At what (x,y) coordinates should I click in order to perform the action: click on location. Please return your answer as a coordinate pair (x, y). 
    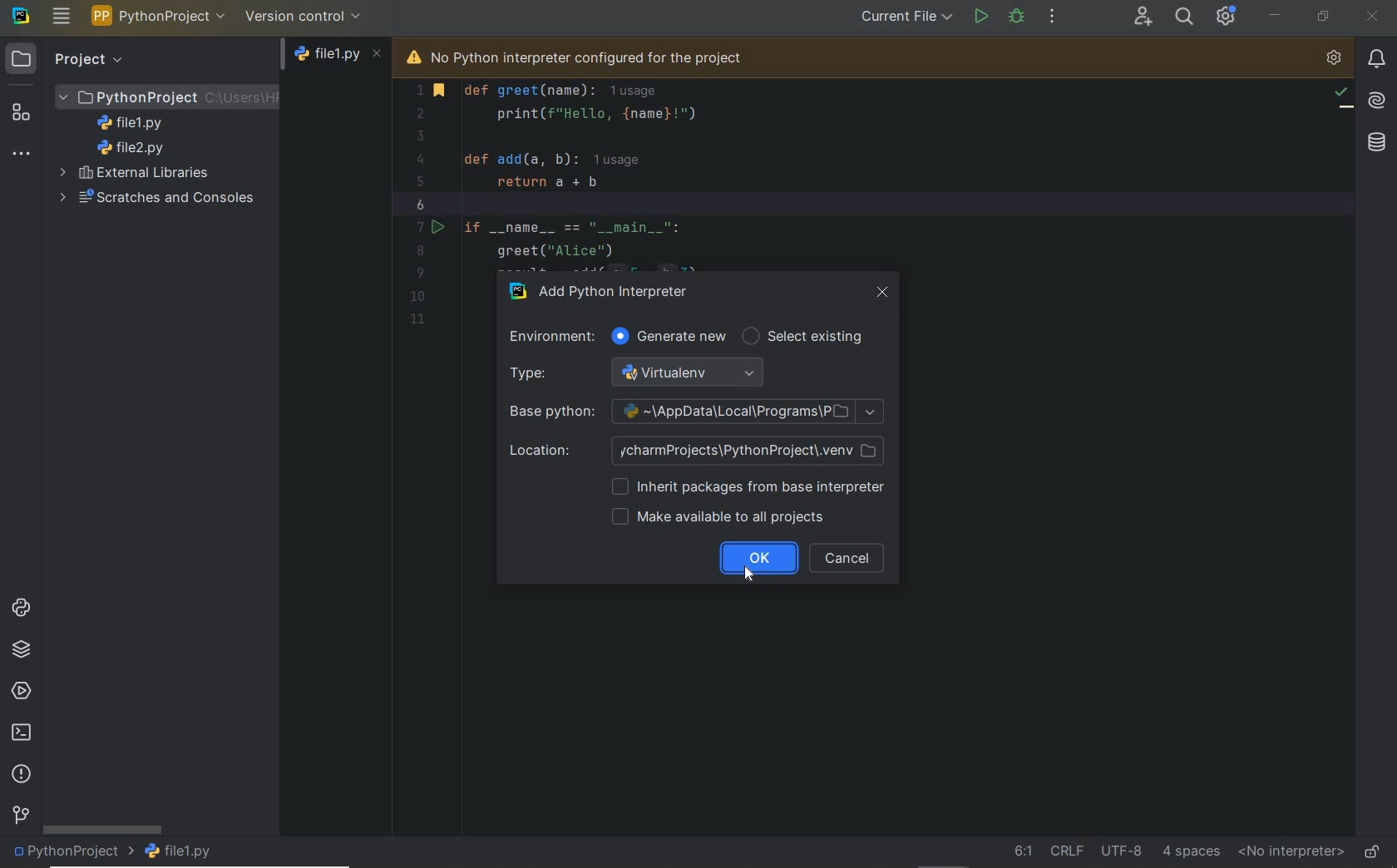
    Looking at the image, I should click on (697, 451).